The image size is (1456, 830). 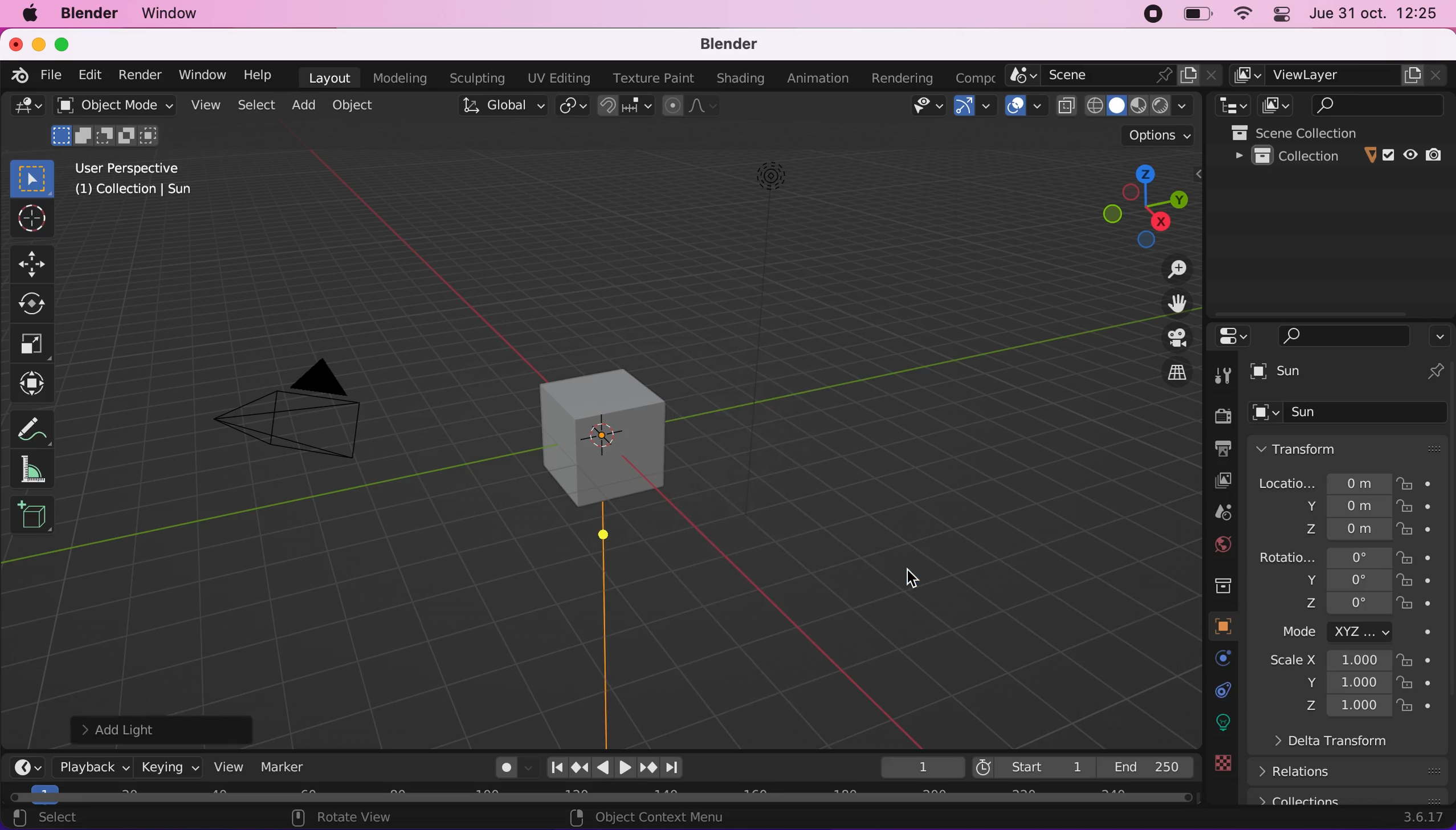 I want to click on modifiers, so click(x=1214, y=659).